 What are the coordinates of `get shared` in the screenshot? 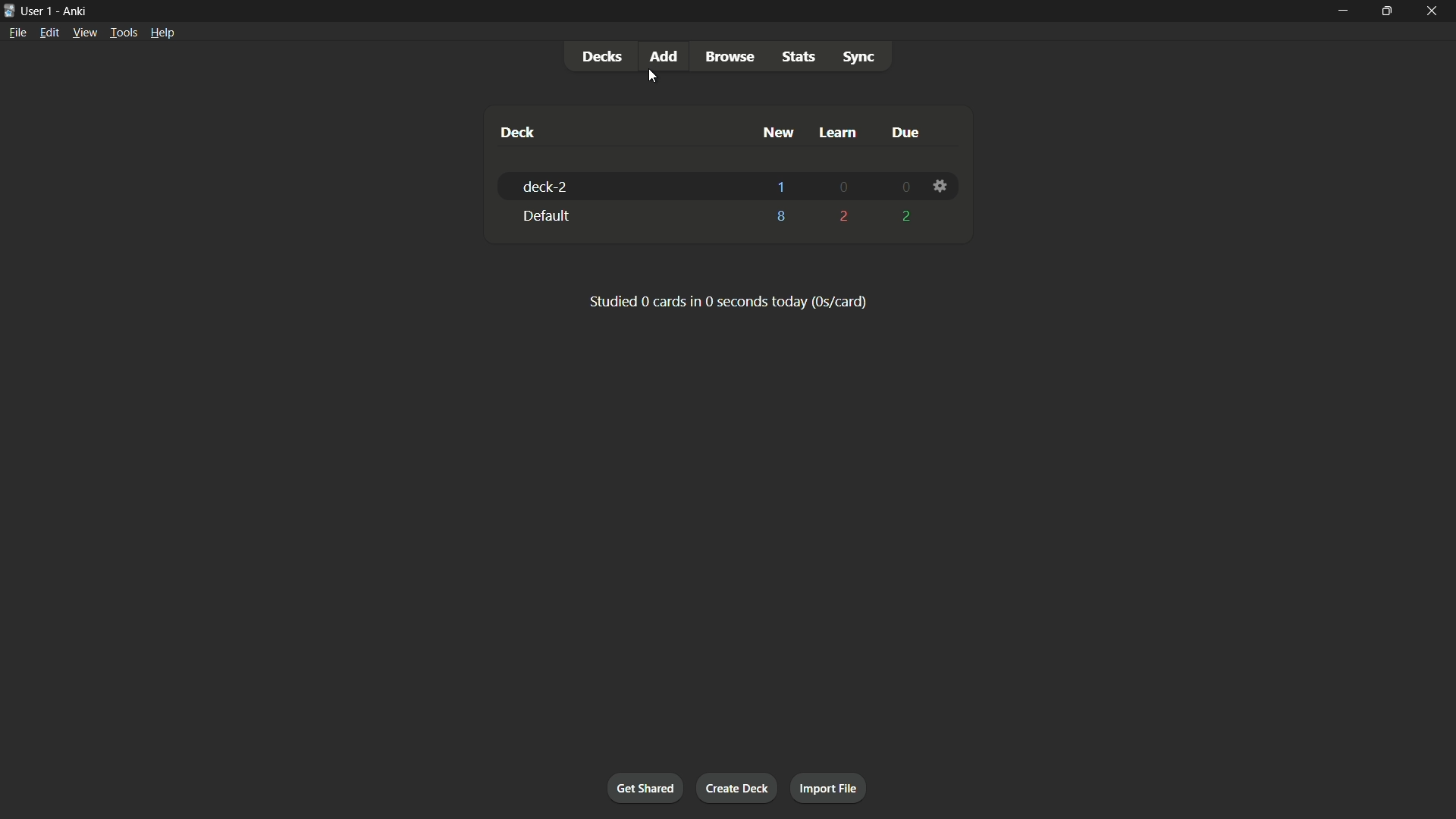 It's located at (647, 788).